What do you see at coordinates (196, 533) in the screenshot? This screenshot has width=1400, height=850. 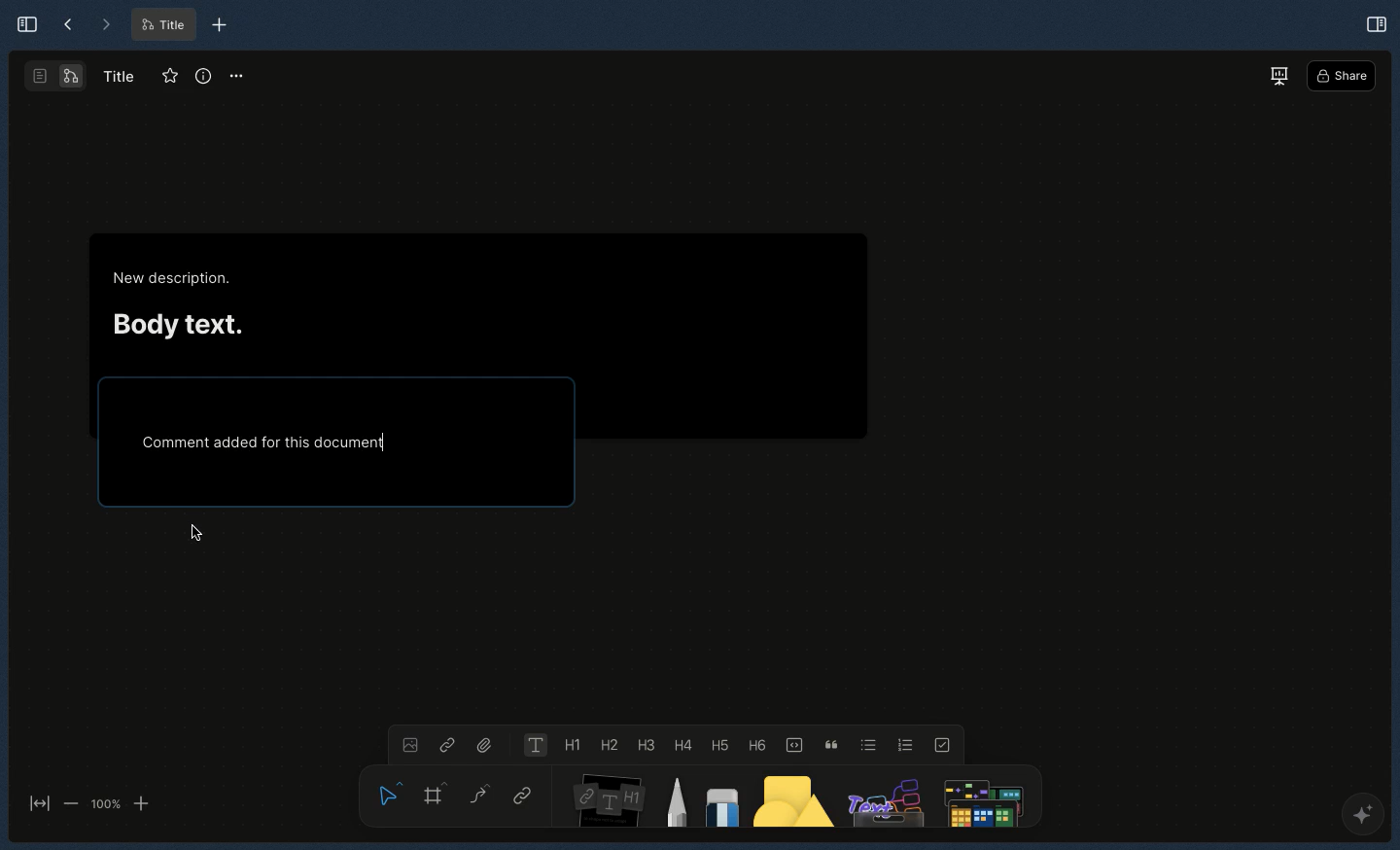 I see `cursor` at bounding box center [196, 533].